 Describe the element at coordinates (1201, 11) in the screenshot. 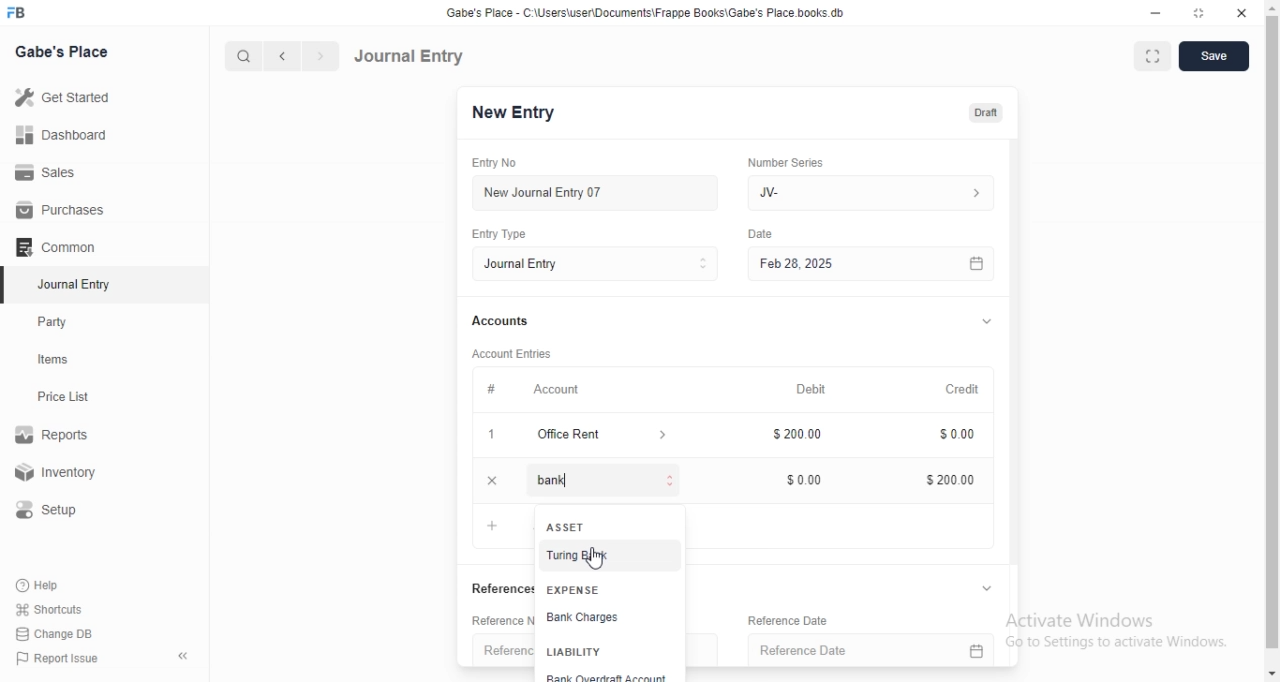

I see `restore` at that location.